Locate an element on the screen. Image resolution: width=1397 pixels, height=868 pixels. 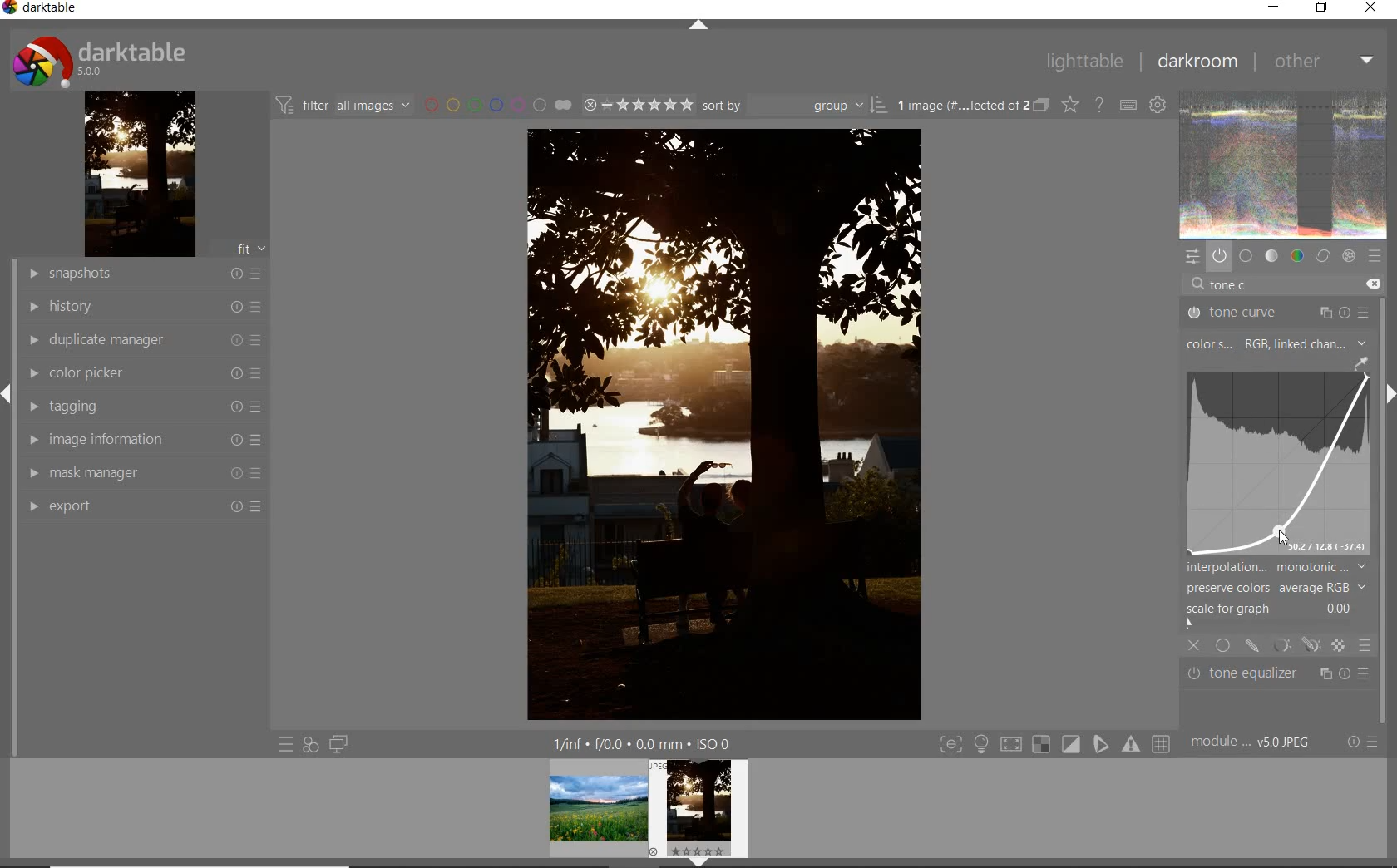
rgb, linked channels is located at coordinates (1307, 343).